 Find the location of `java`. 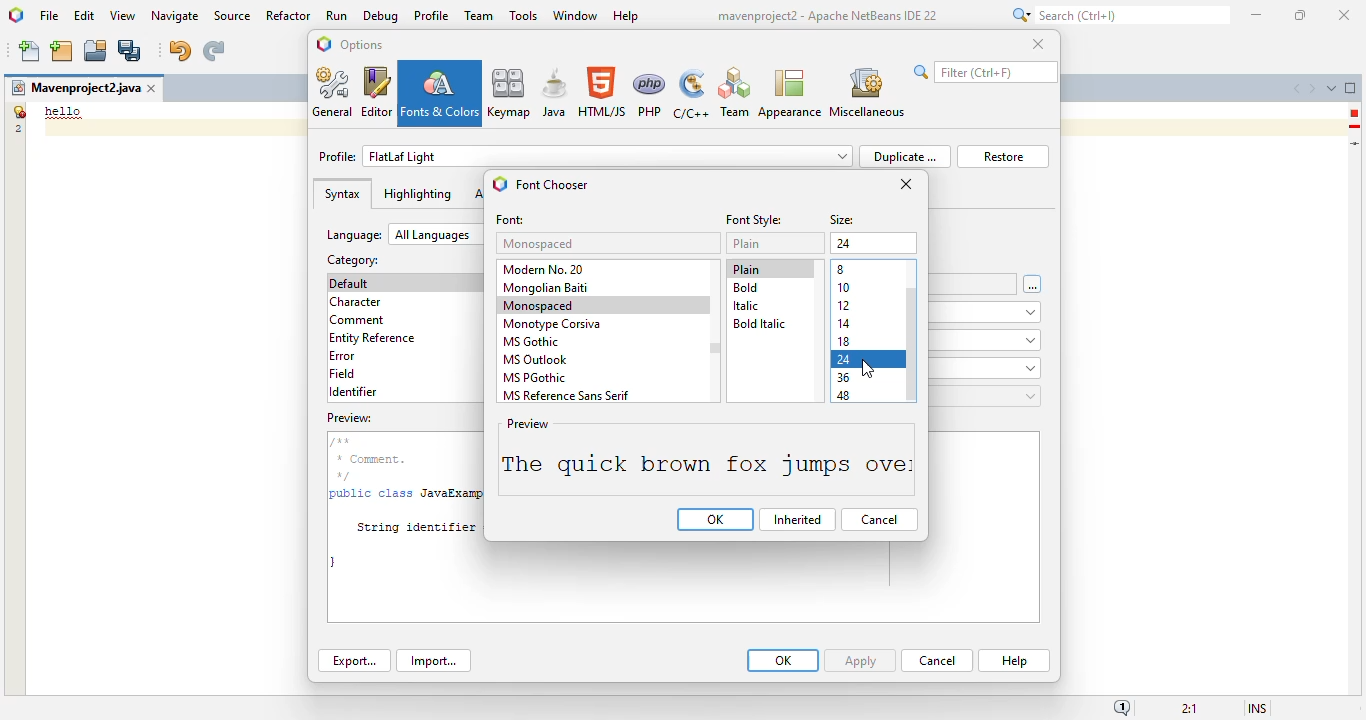

java is located at coordinates (555, 92).